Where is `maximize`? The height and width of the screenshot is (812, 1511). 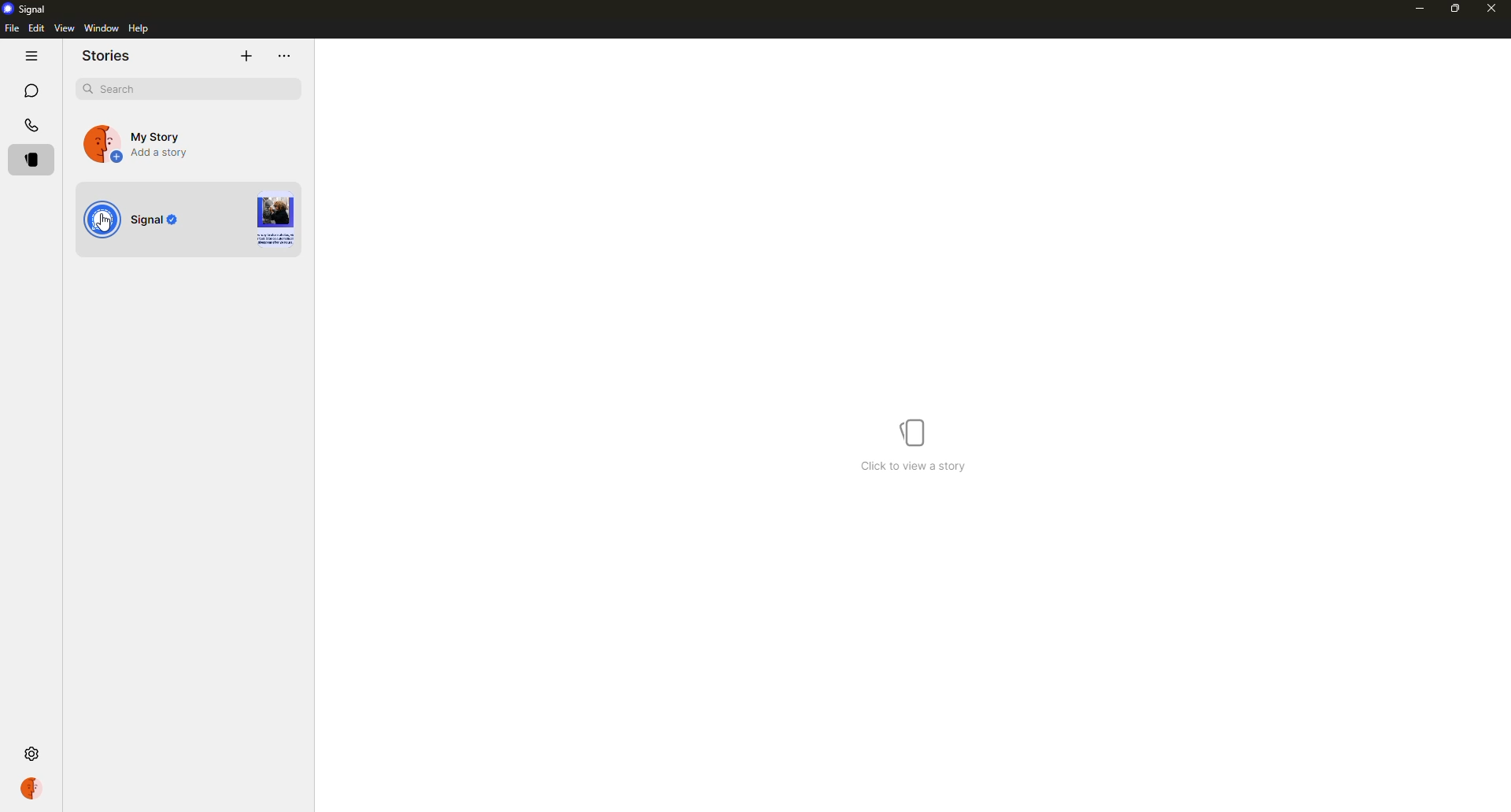 maximize is located at coordinates (1455, 9).